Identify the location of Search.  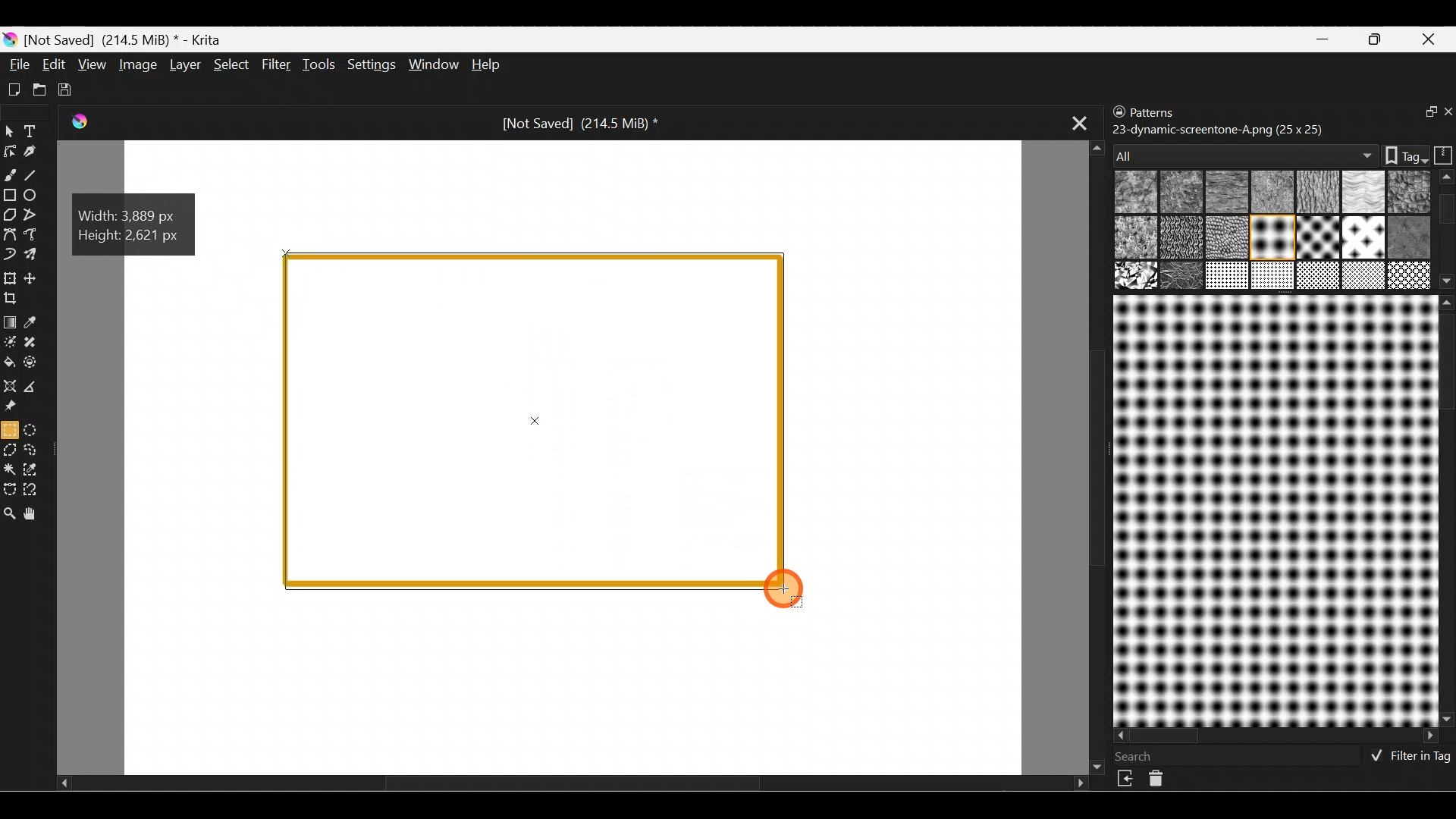
(1143, 756).